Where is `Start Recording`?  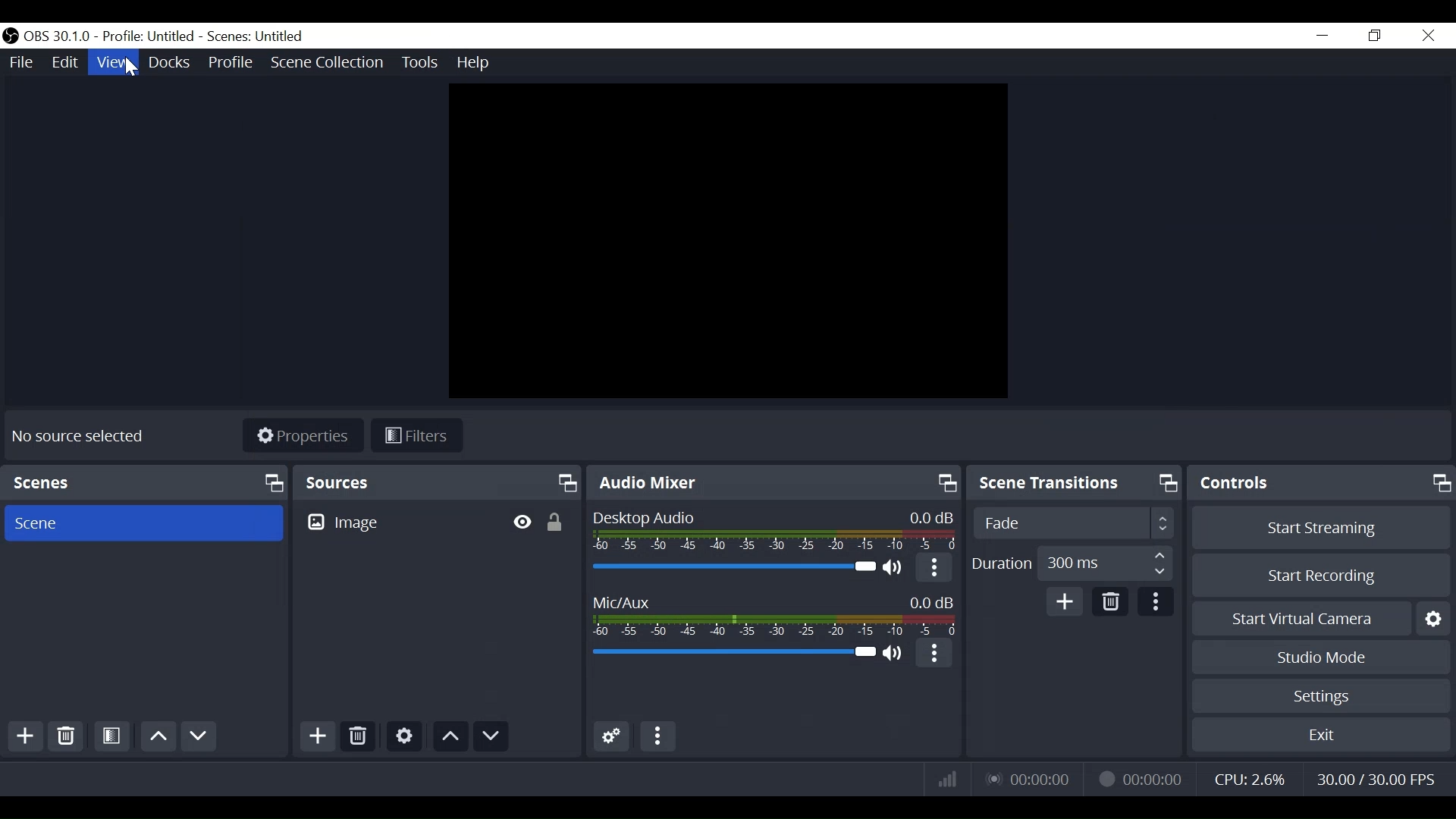
Start Recording is located at coordinates (1319, 576).